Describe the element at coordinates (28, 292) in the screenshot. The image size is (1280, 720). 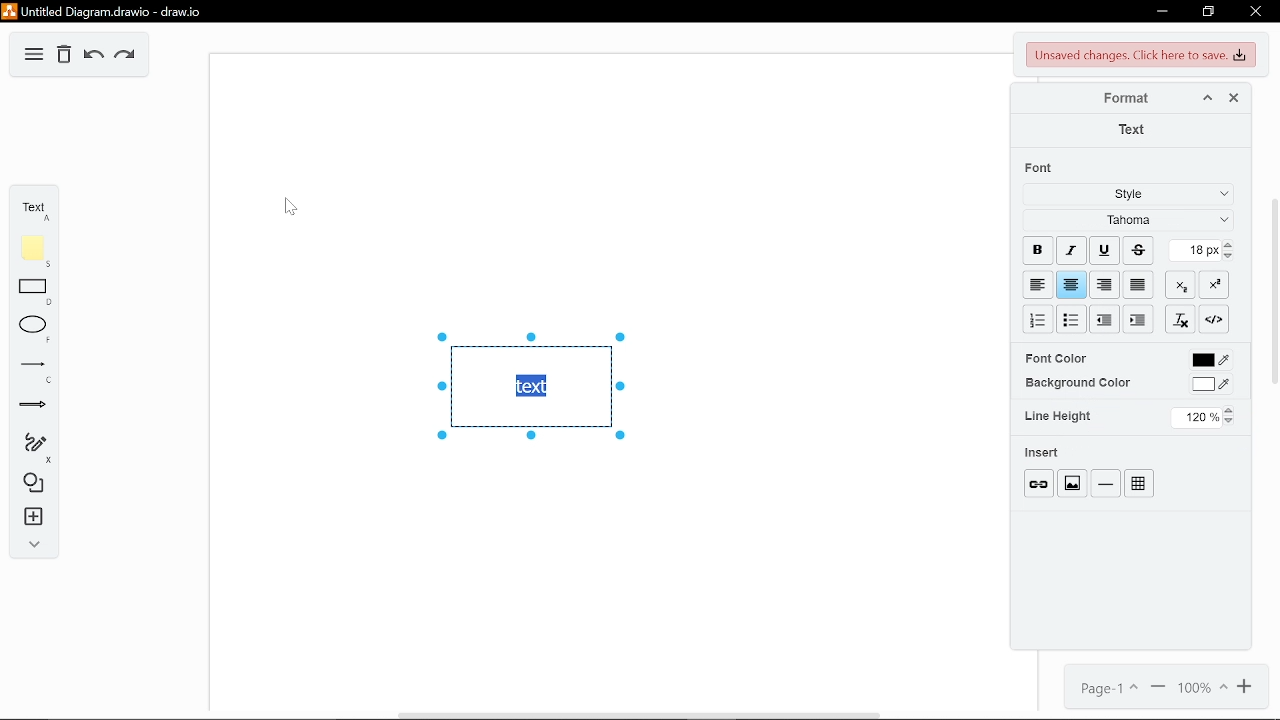
I see `rectangle` at that location.